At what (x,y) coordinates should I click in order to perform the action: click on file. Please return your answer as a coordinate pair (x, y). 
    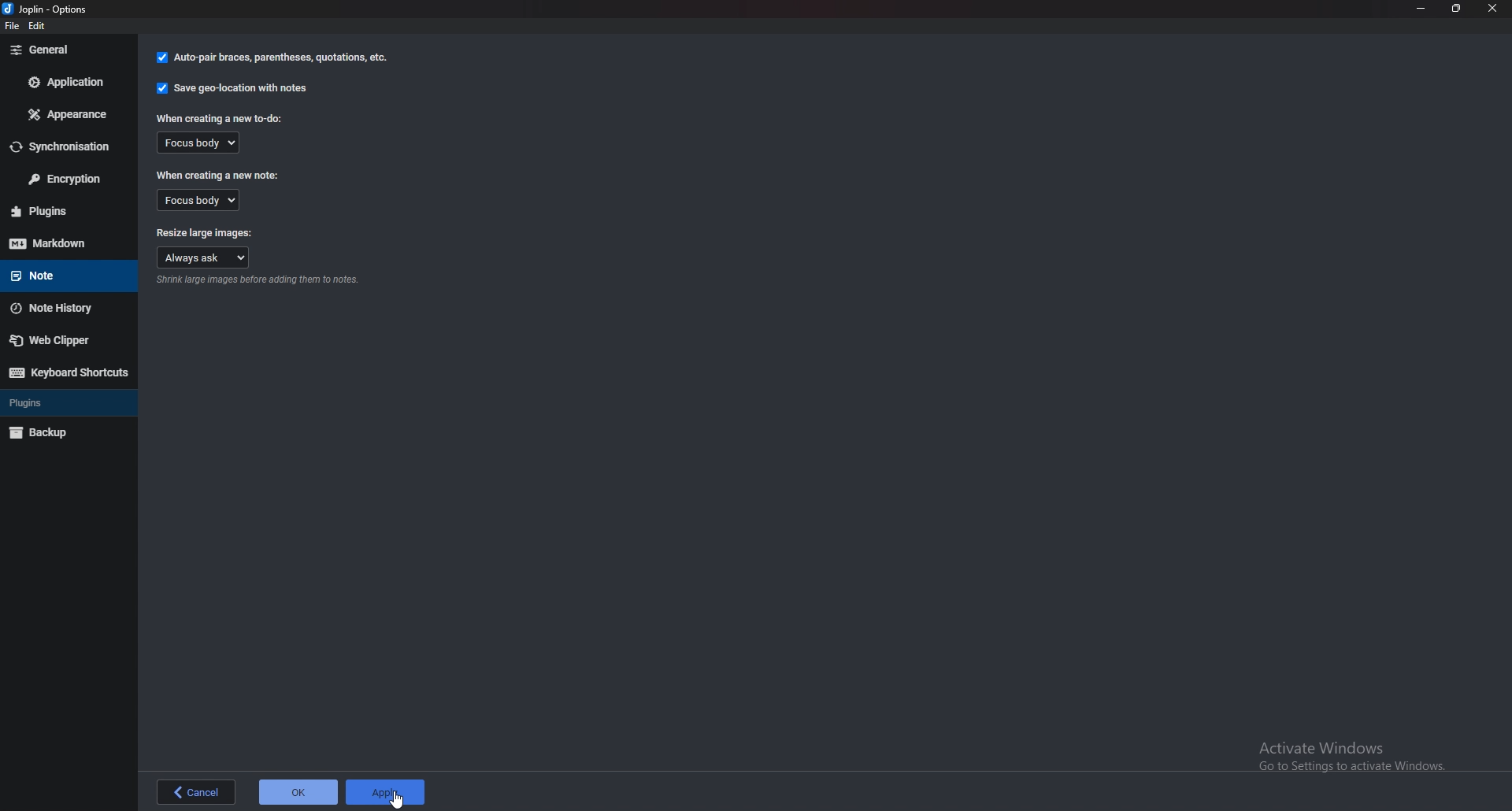
    Looking at the image, I should click on (11, 28).